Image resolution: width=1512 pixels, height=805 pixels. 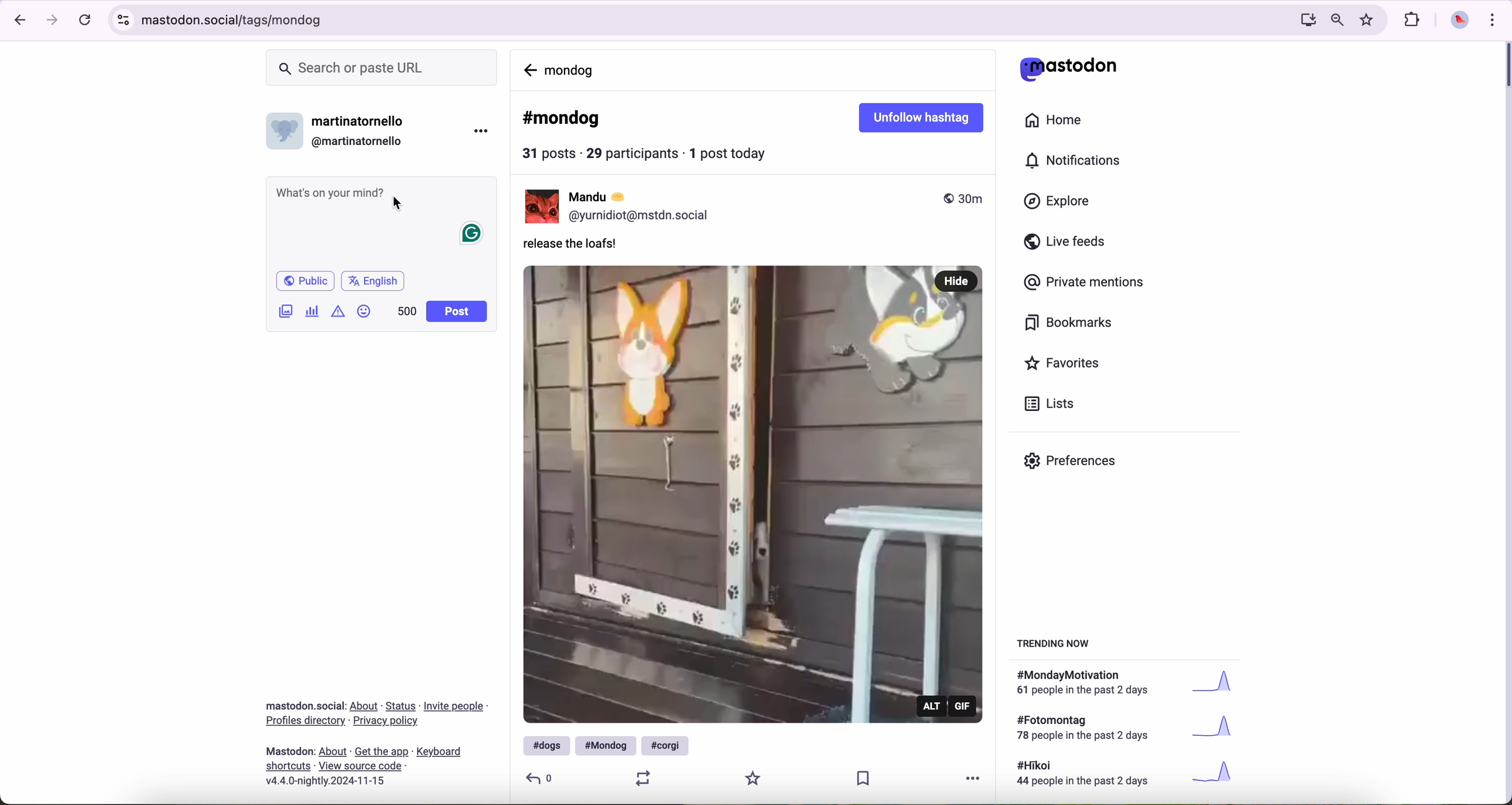 What do you see at coordinates (289, 767) in the screenshot?
I see `link` at bounding box center [289, 767].